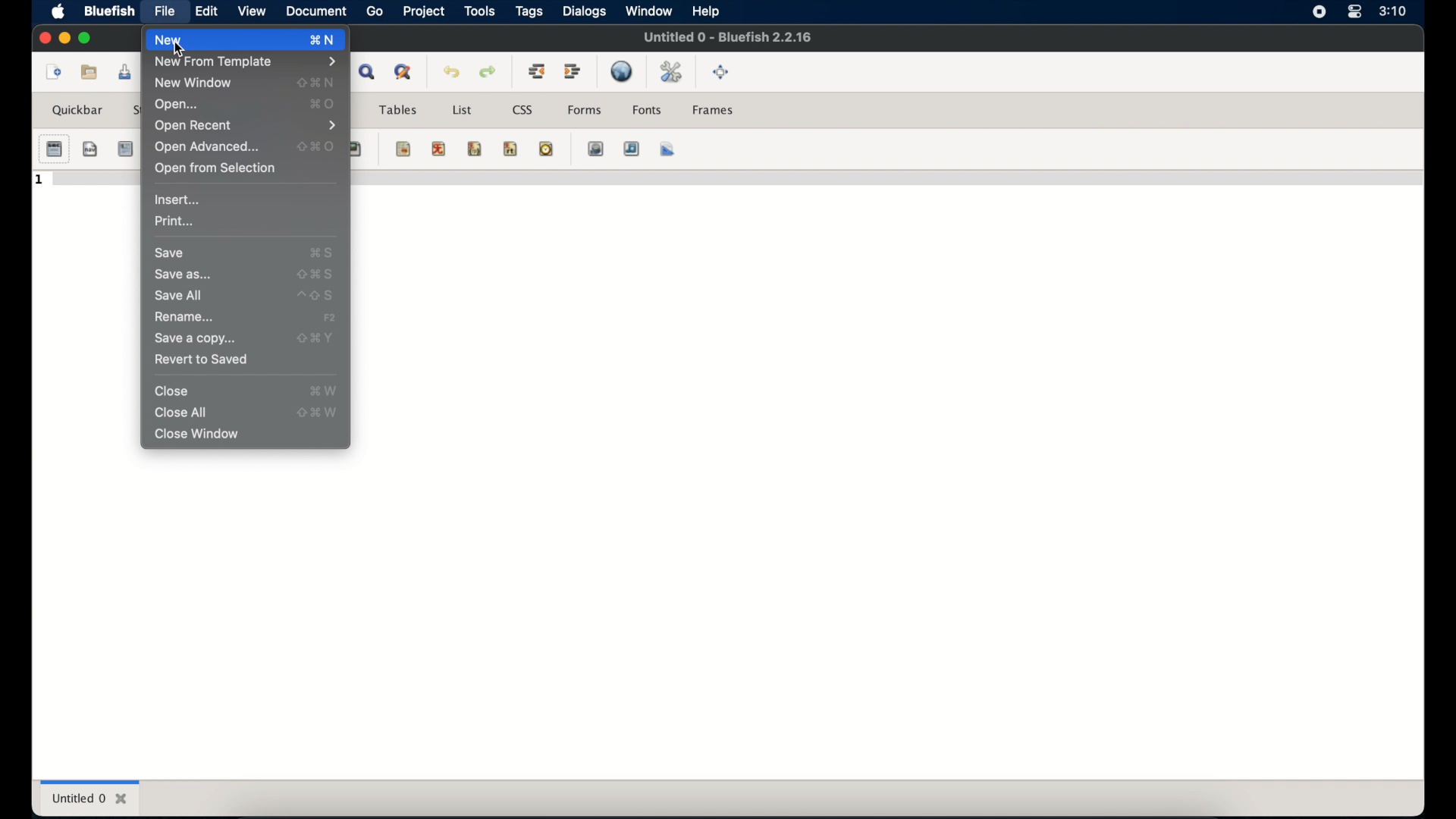 This screenshot has width=1456, height=819. What do you see at coordinates (530, 12) in the screenshot?
I see `tags` at bounding box center [530, 12].